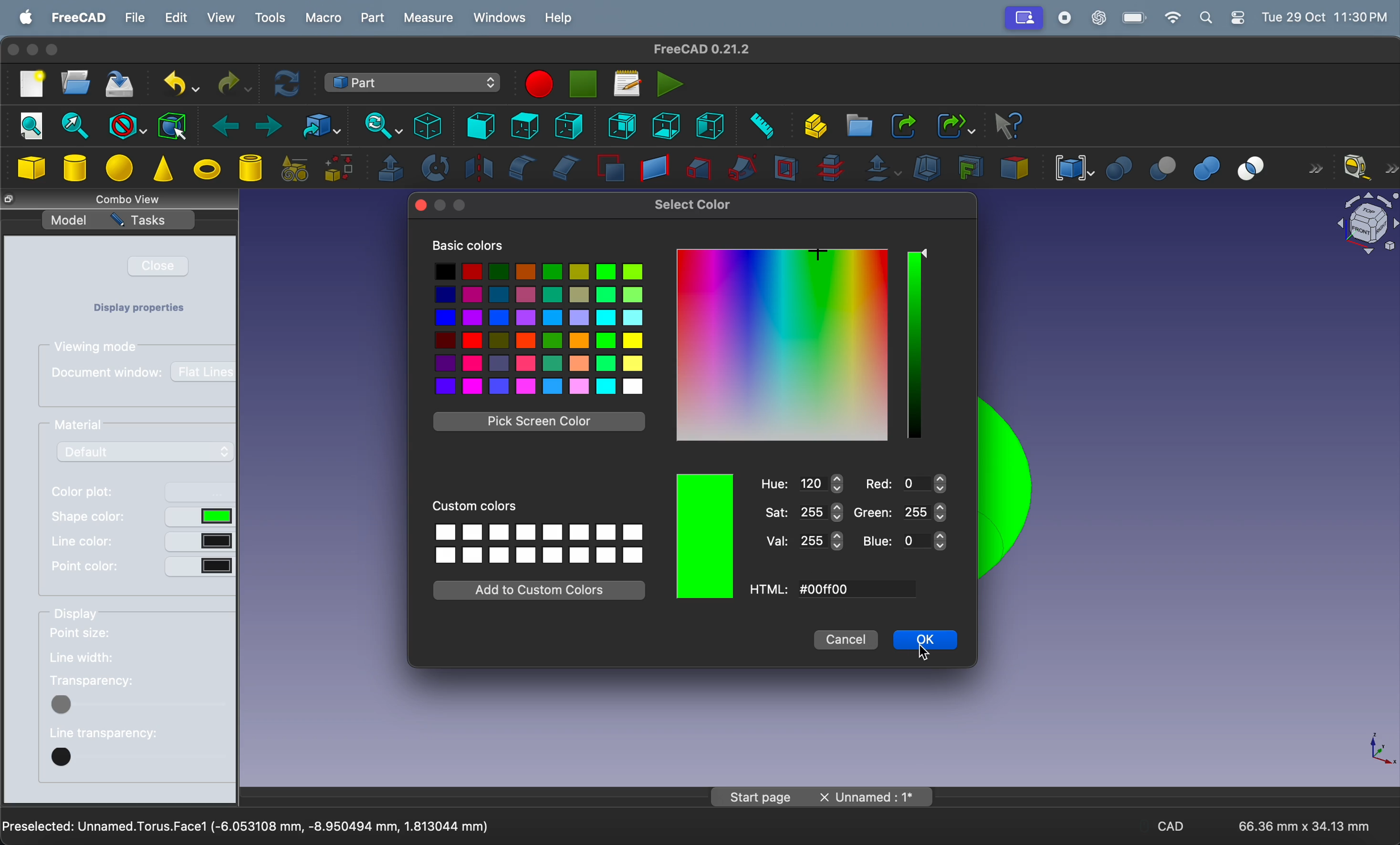 Image resolution: width=1400 pixels, height=845 pixels. I want to click on display, so click(103, 615).